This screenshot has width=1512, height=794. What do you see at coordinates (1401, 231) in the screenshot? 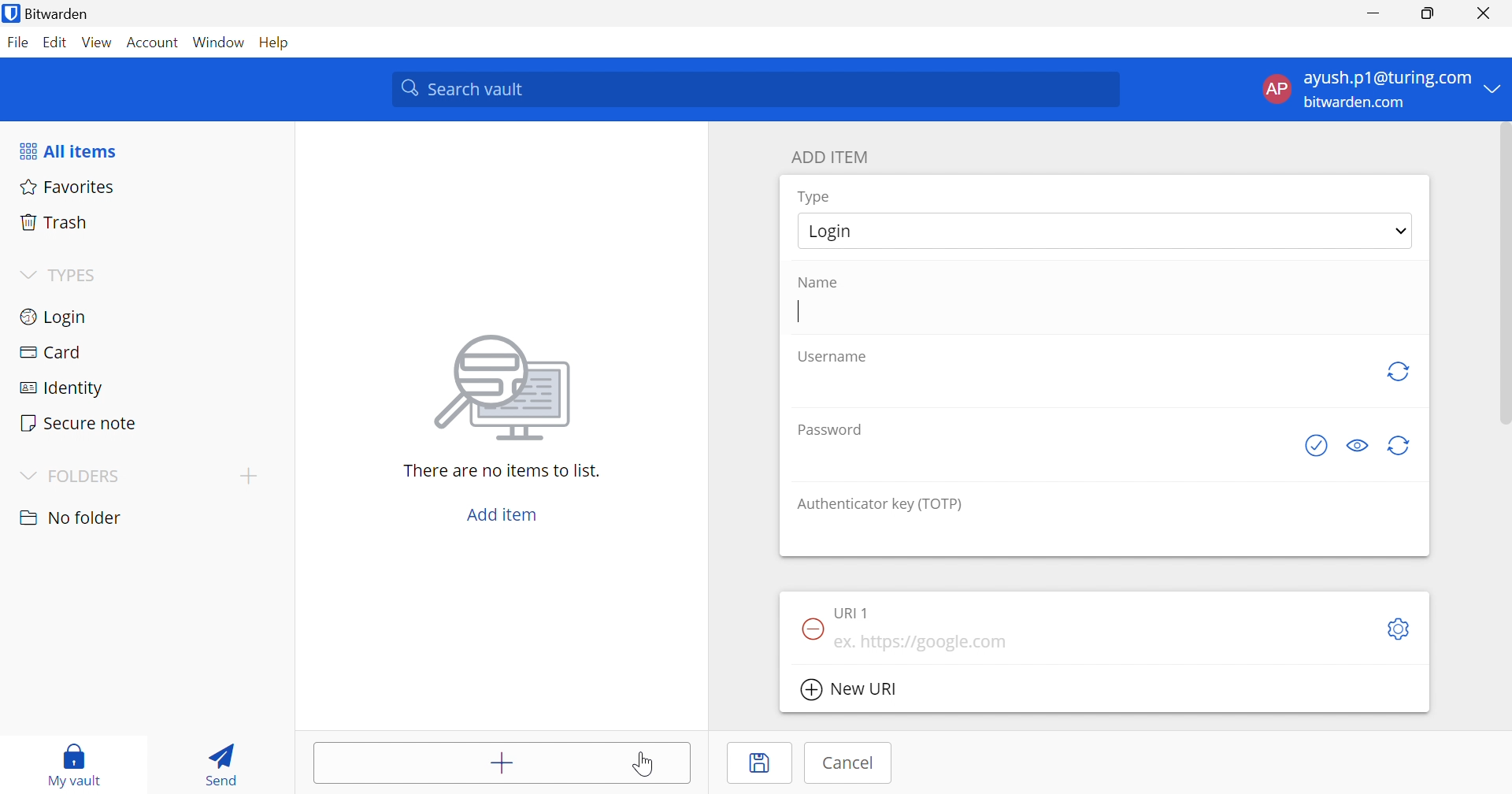
I see `Drop down` at bounding box center [1401, 231].